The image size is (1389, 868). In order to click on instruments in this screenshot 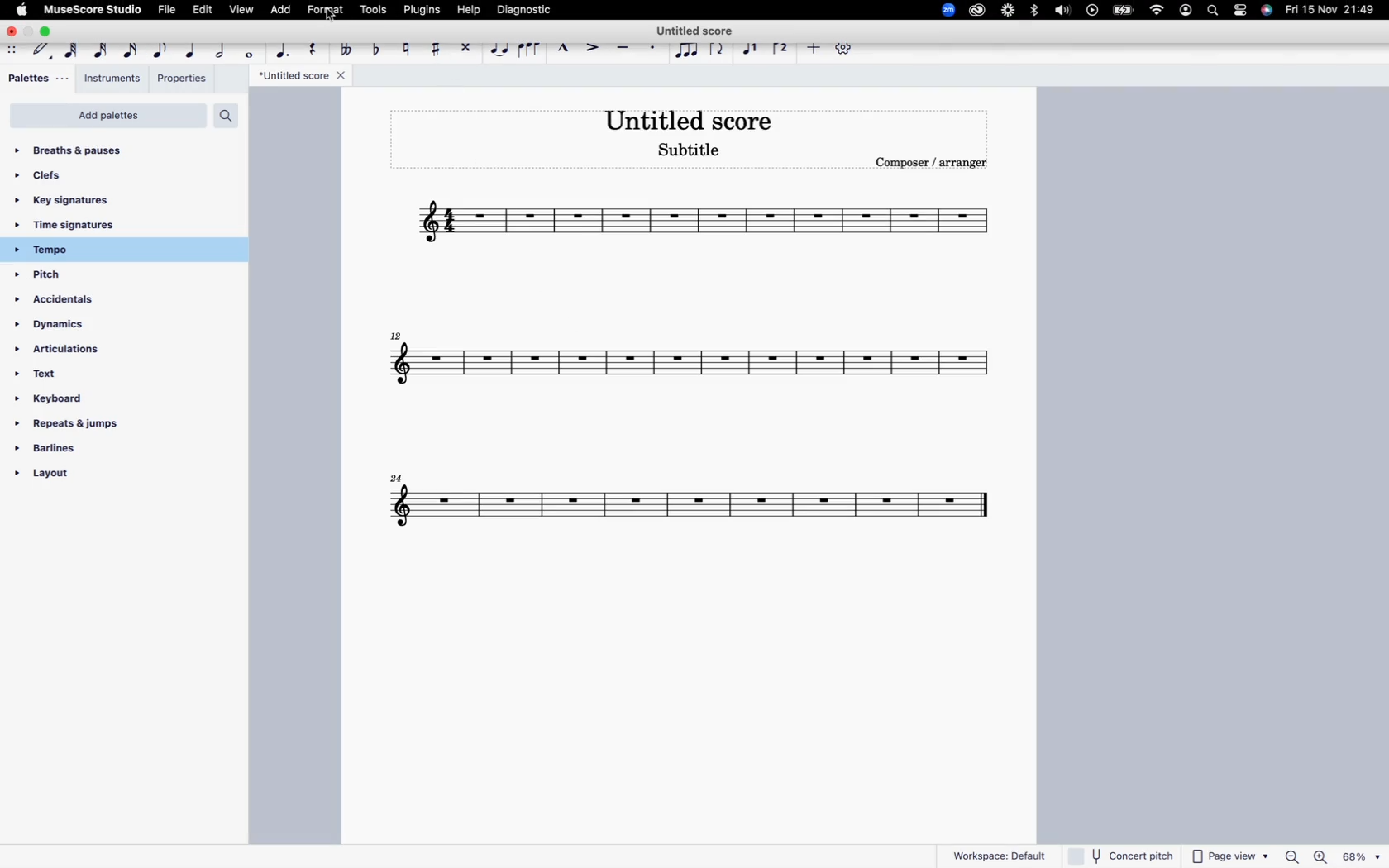, I will do `click(112, 78)`.